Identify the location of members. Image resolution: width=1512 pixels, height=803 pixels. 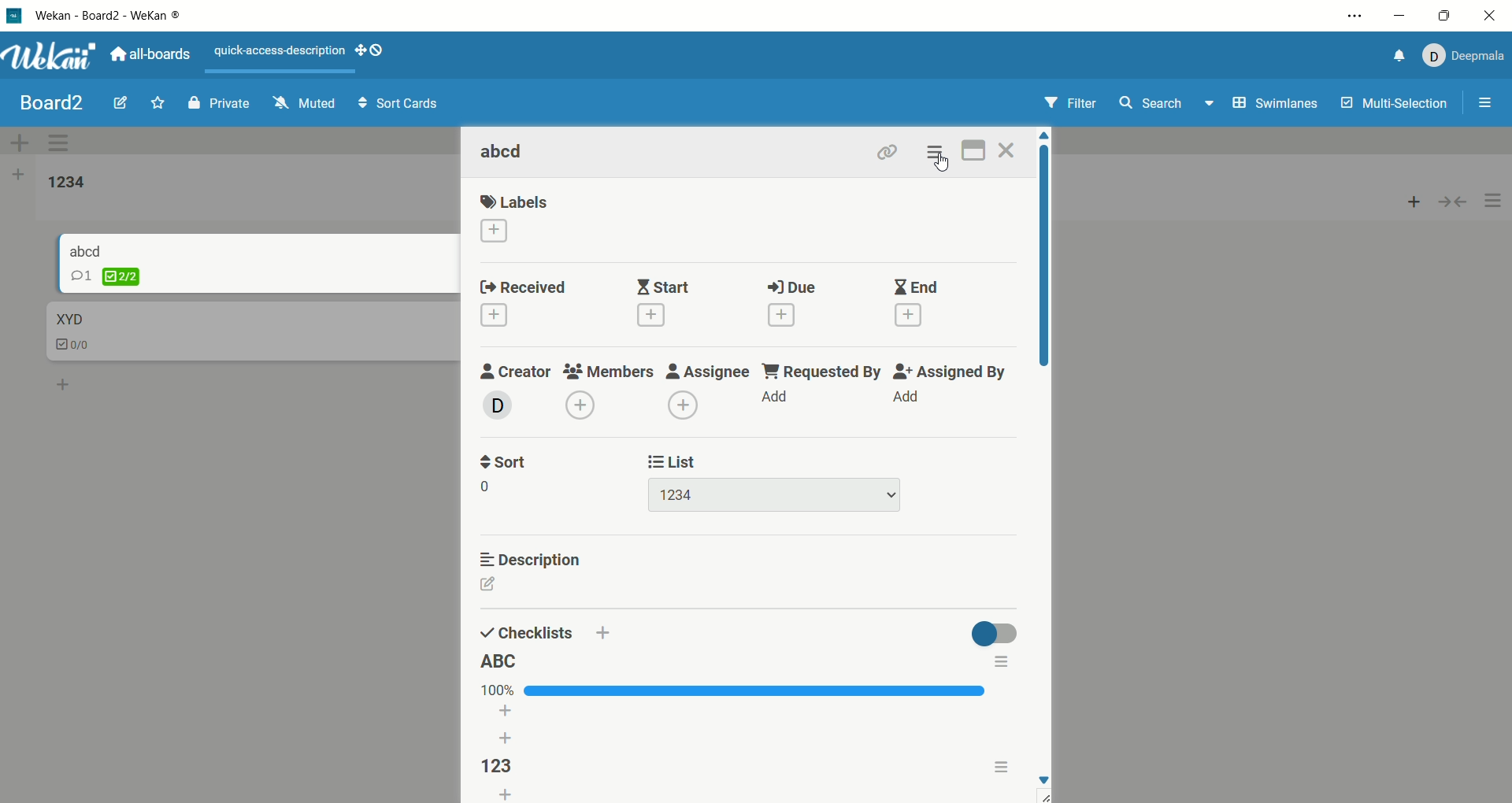
(610, 390).